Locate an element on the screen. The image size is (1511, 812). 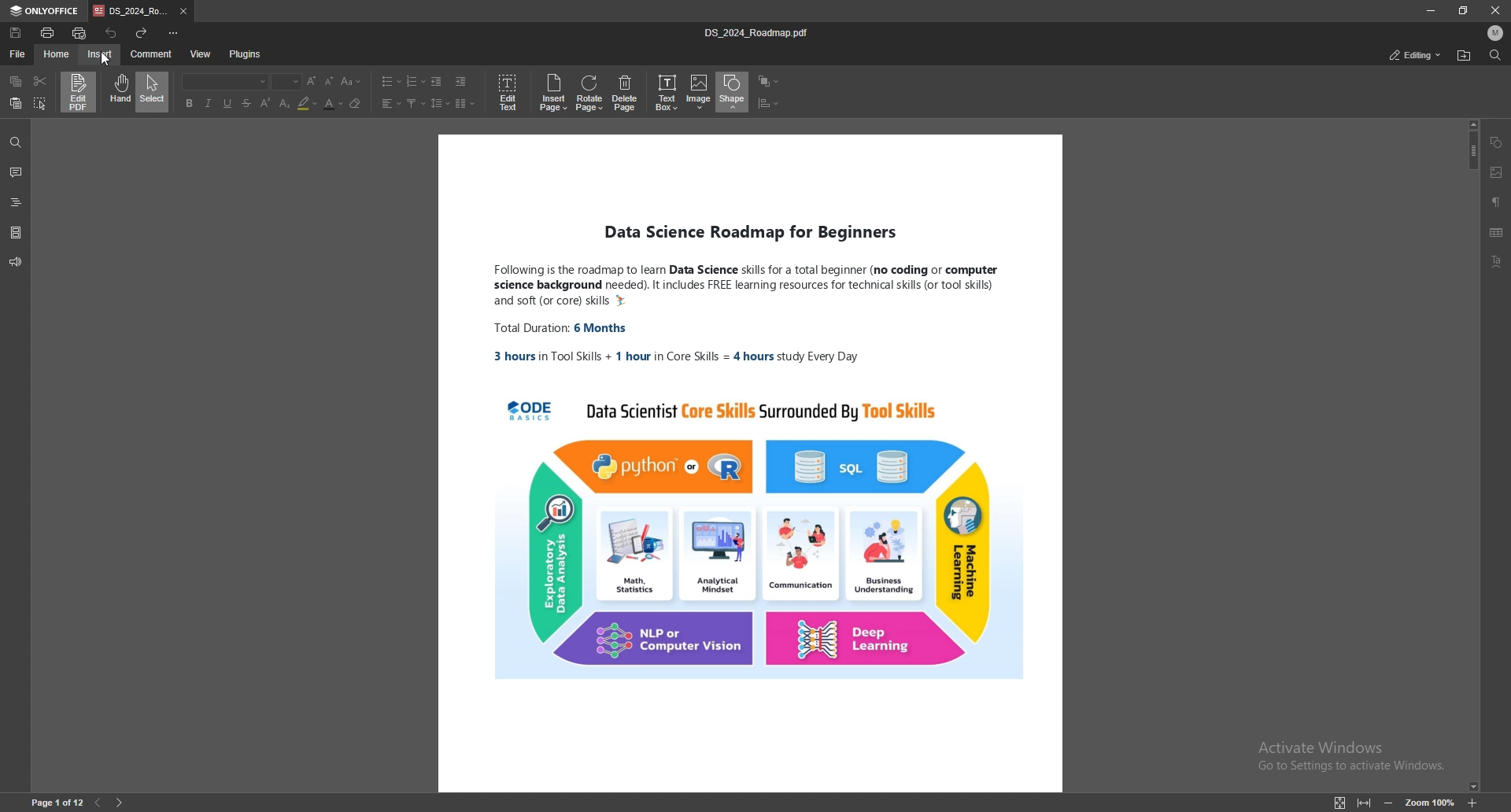
image is located at coordinates (700, 93).